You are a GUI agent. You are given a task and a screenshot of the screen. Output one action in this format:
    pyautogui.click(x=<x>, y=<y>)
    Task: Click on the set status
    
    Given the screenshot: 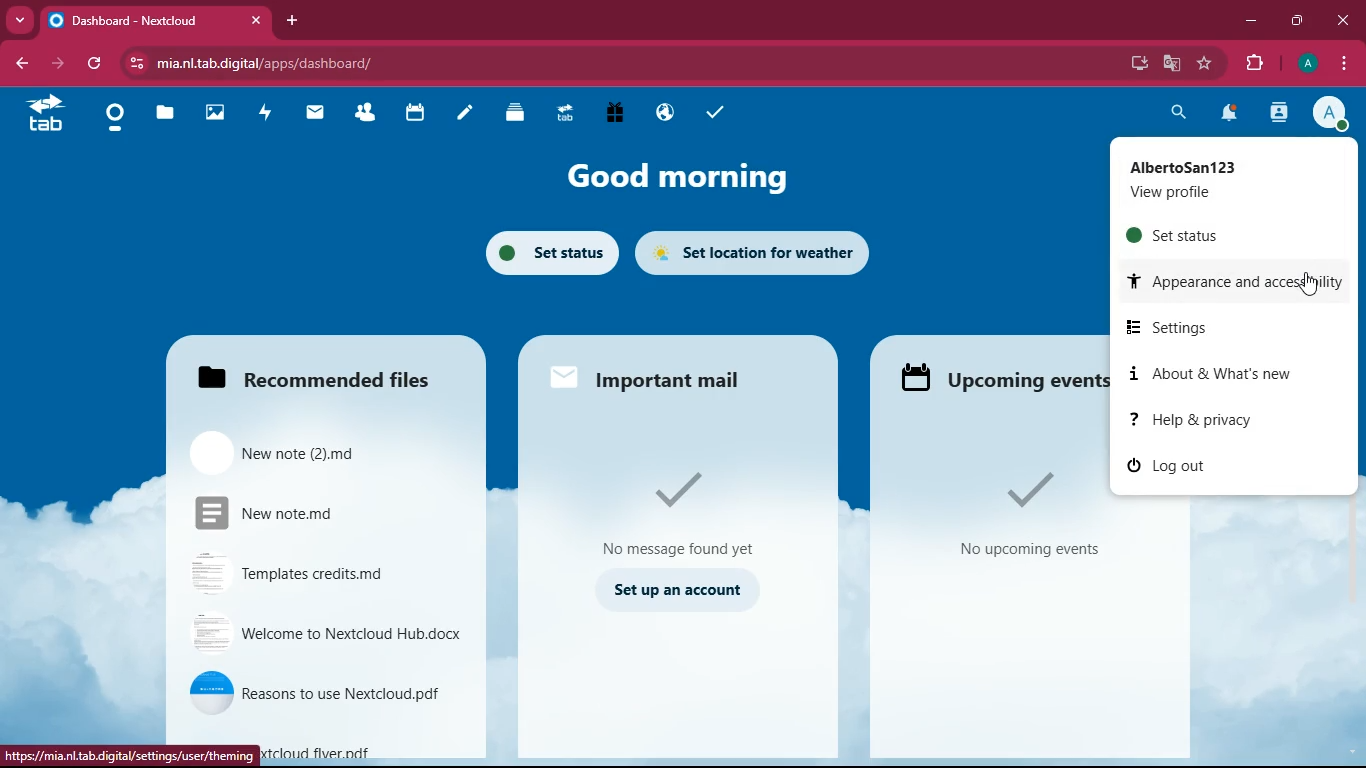 What is the action you would take?
    pyautogui.click(x=1227, y=235)
    